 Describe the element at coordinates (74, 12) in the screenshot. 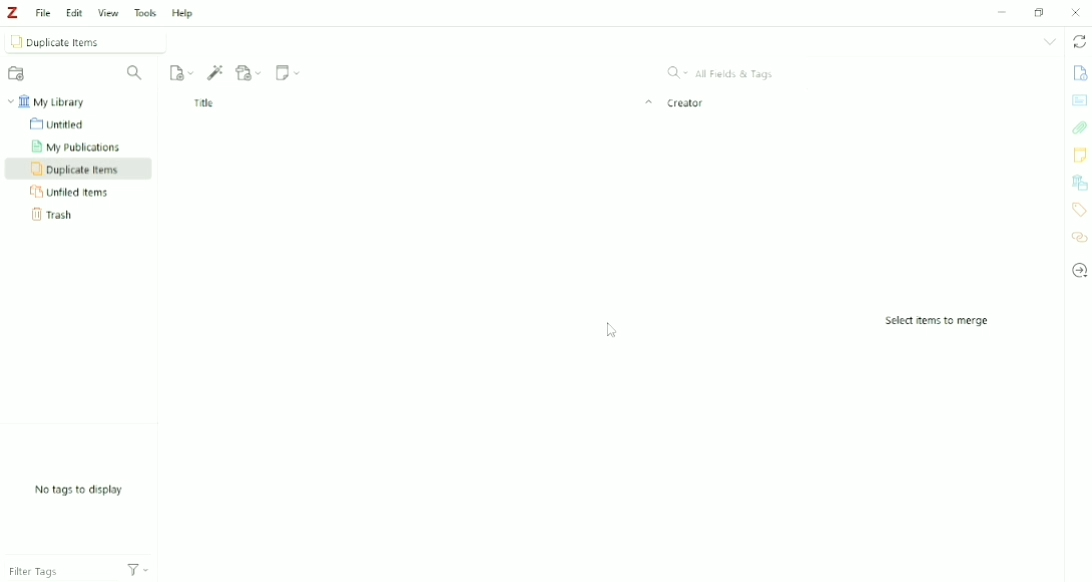

I see `Edit` at that location.